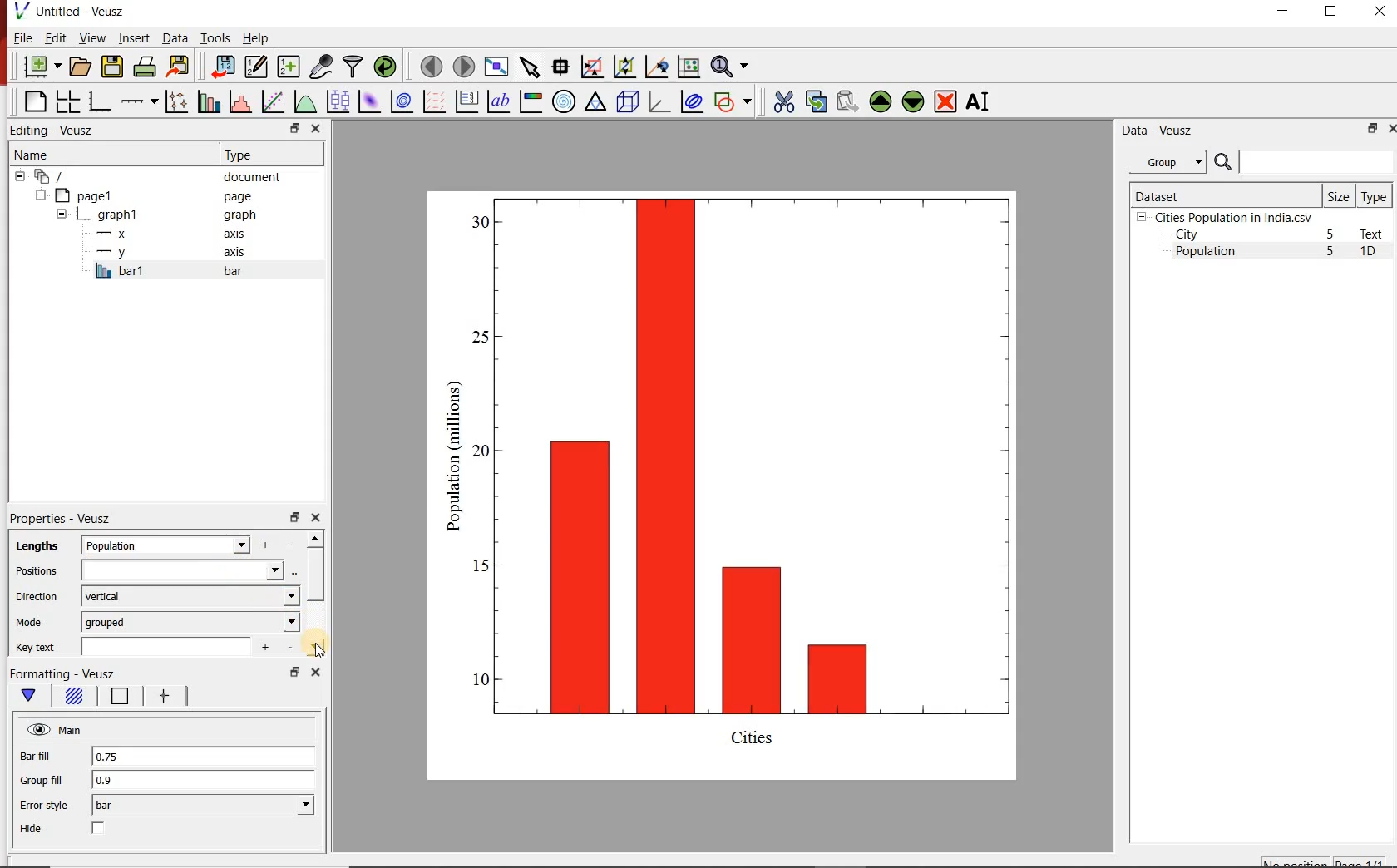  What do you see at coordinates (304, 101) in the screenshot?
I see `plot a function` at bounding box center [304, 101].